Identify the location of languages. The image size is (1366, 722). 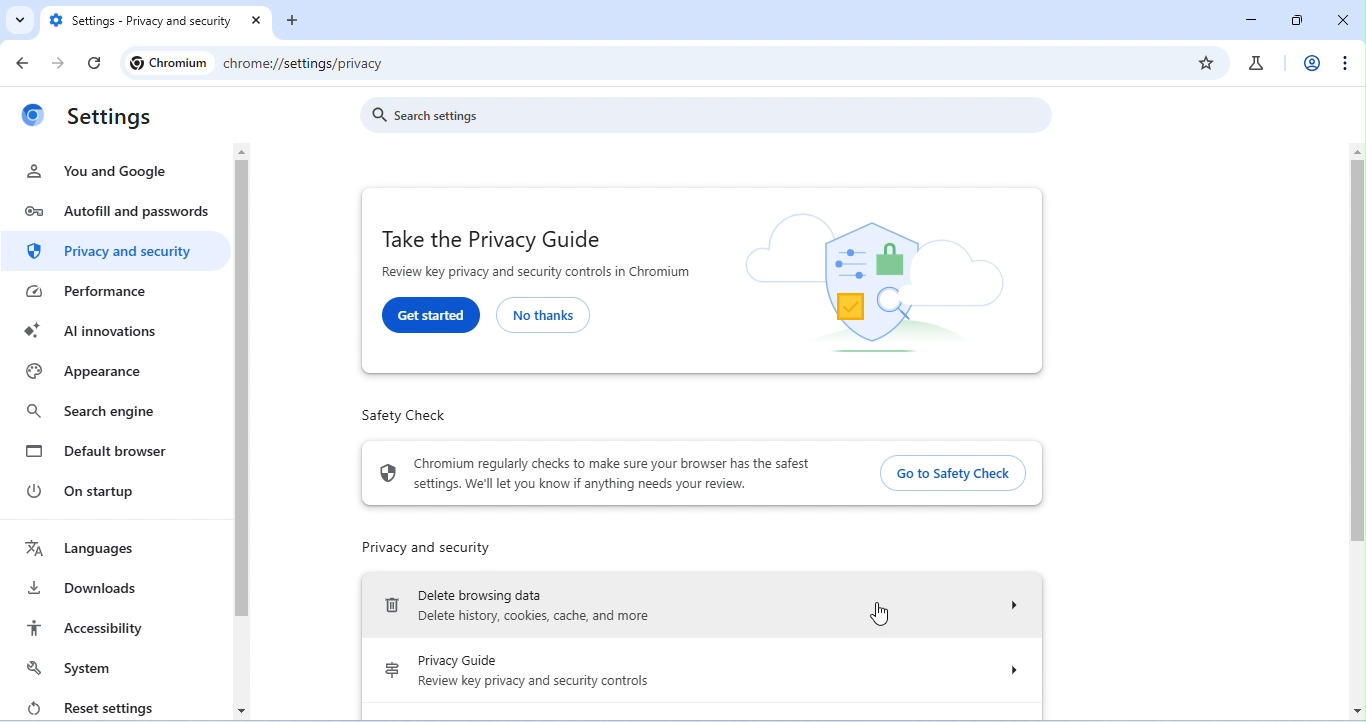
(81, 549).